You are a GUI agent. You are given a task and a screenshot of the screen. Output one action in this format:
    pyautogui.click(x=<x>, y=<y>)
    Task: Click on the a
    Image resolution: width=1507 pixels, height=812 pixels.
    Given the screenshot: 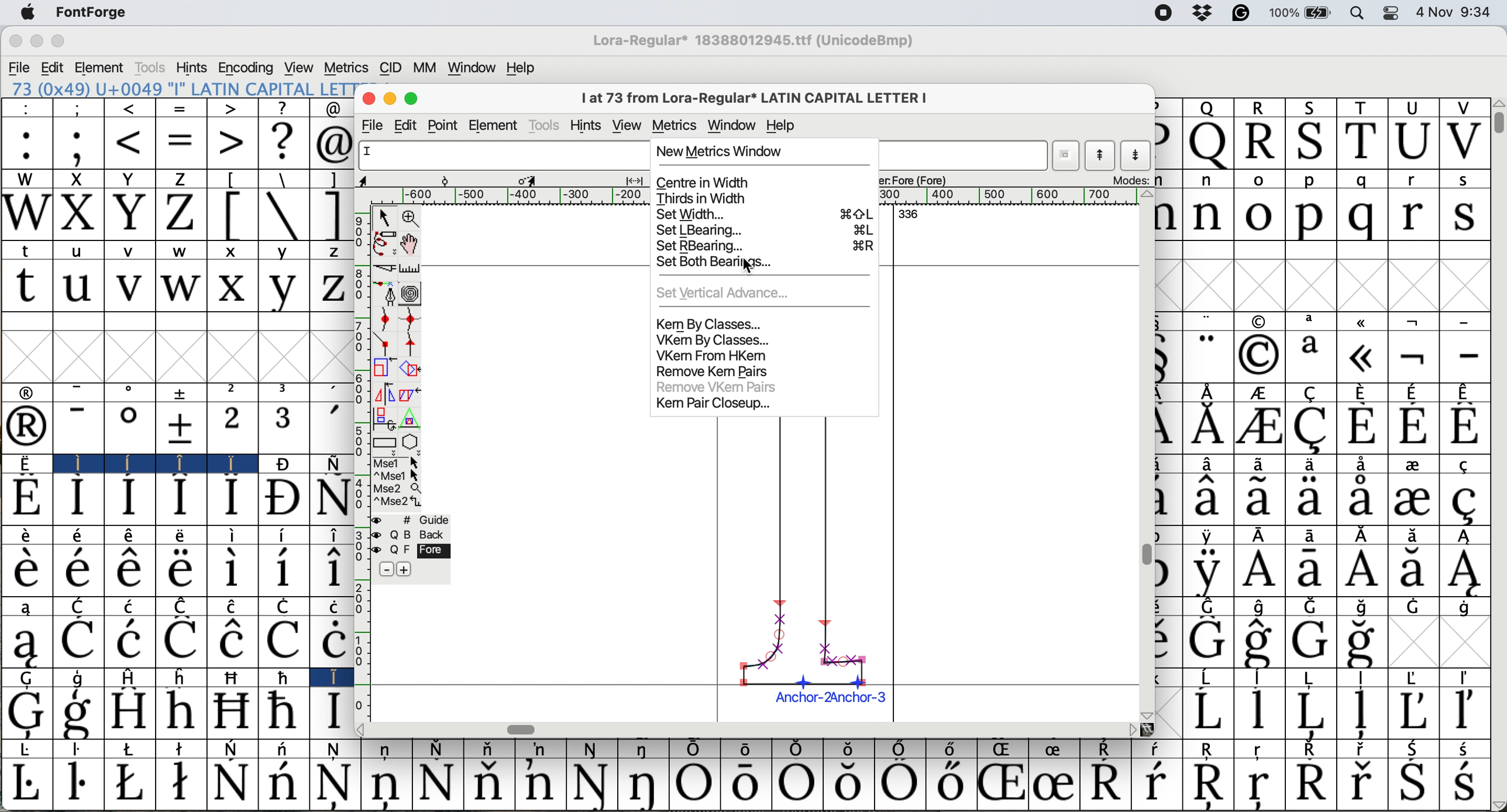 What is the action you would take?
    pyautogui.click(x=1312, y=356)
    